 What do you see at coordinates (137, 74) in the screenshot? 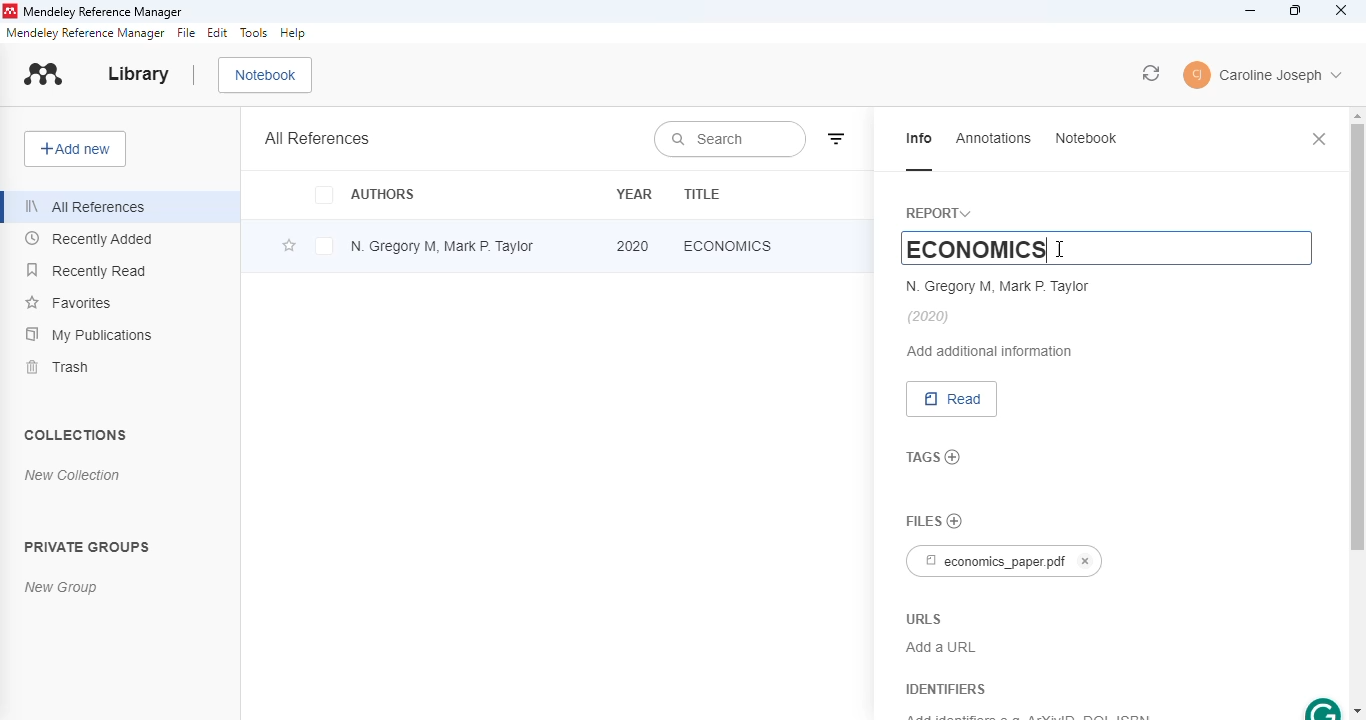
I see `library` at bounding box center [137, 74].